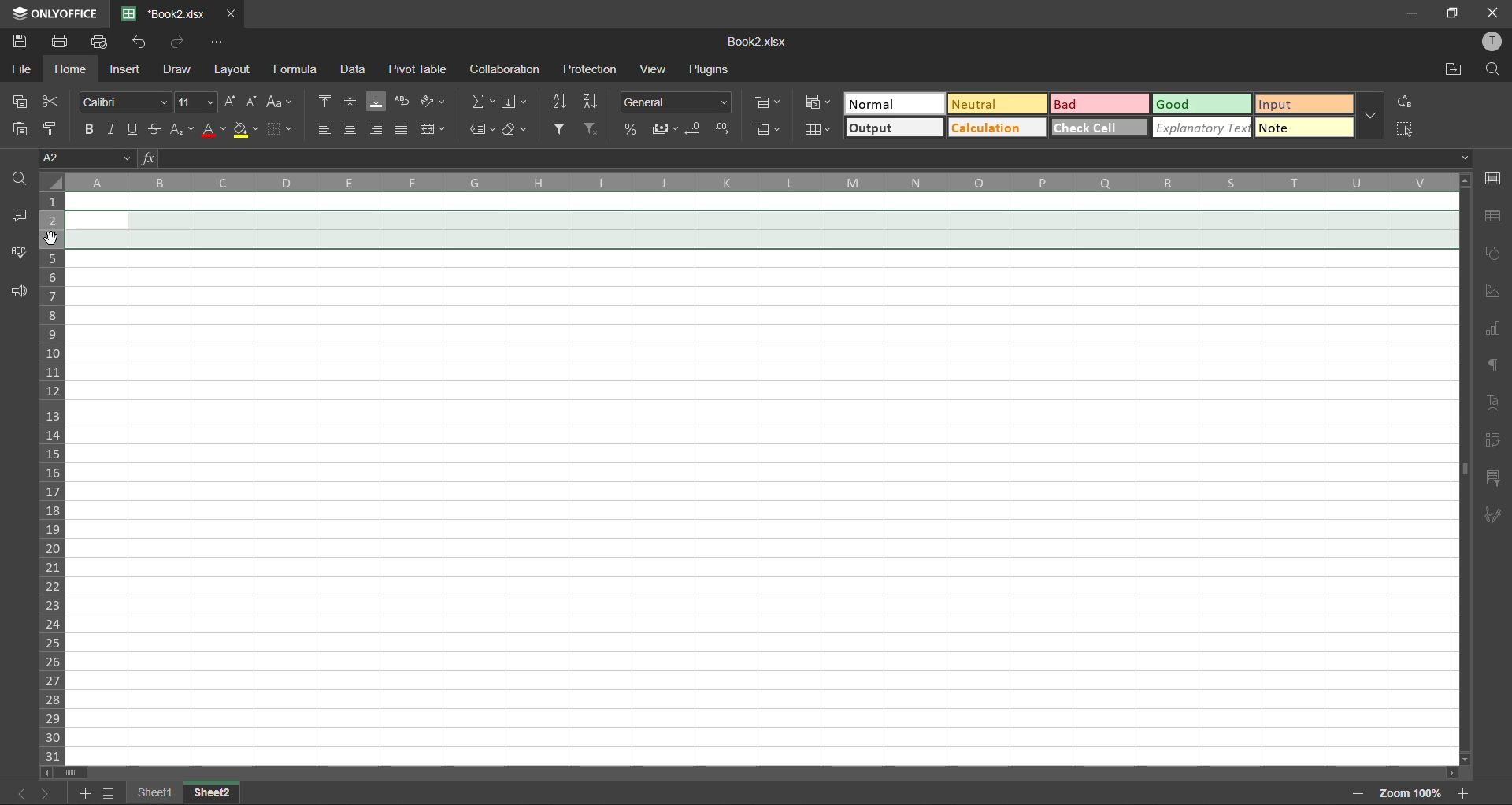 Image resolution: width=1512 pixels, height=805 pixels. What do you see at coordinates (54, 480) in the screenshot?
I see `row numbers` at bounding box center [54, 480].